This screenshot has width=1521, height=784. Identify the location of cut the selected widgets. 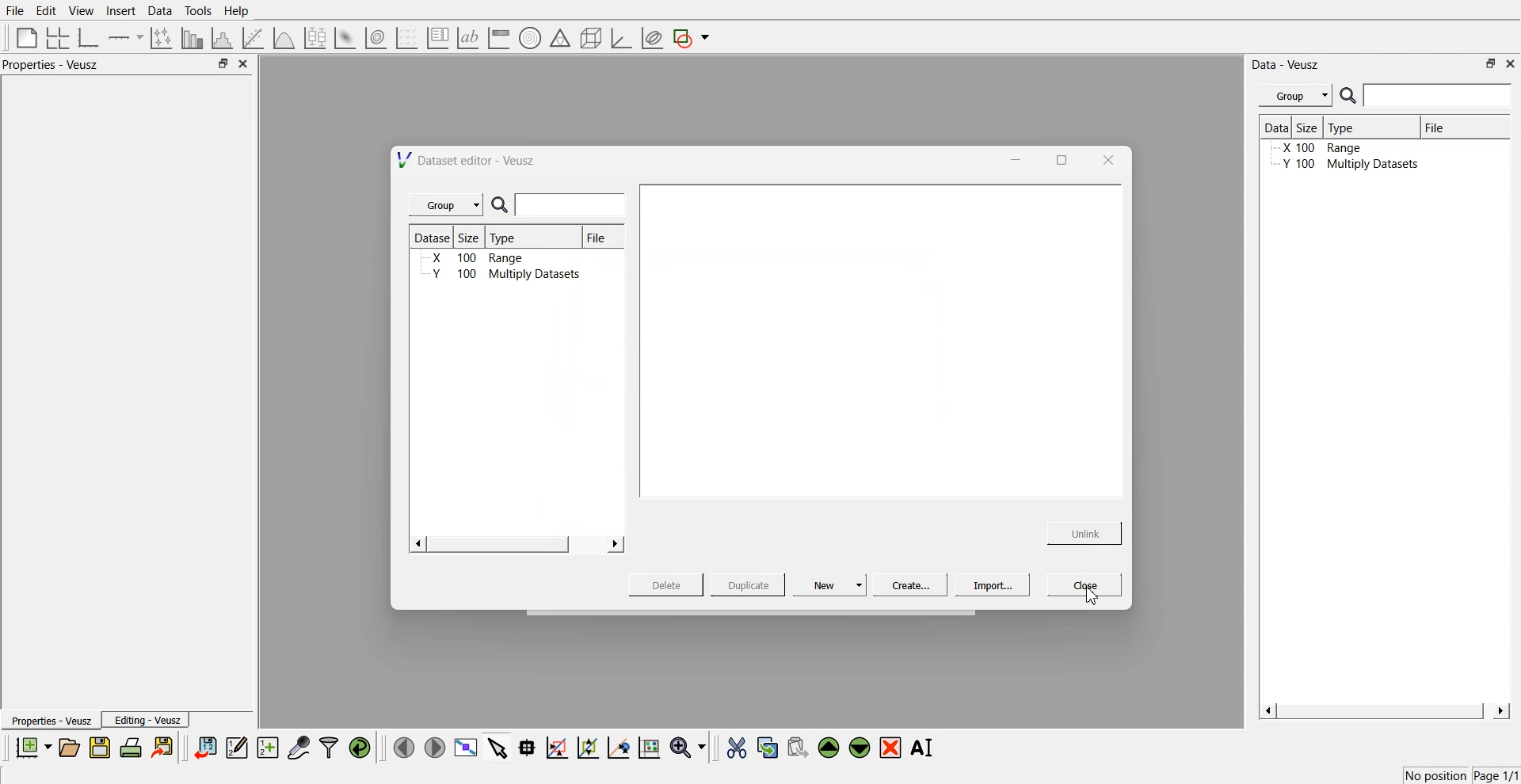
(735, 748).